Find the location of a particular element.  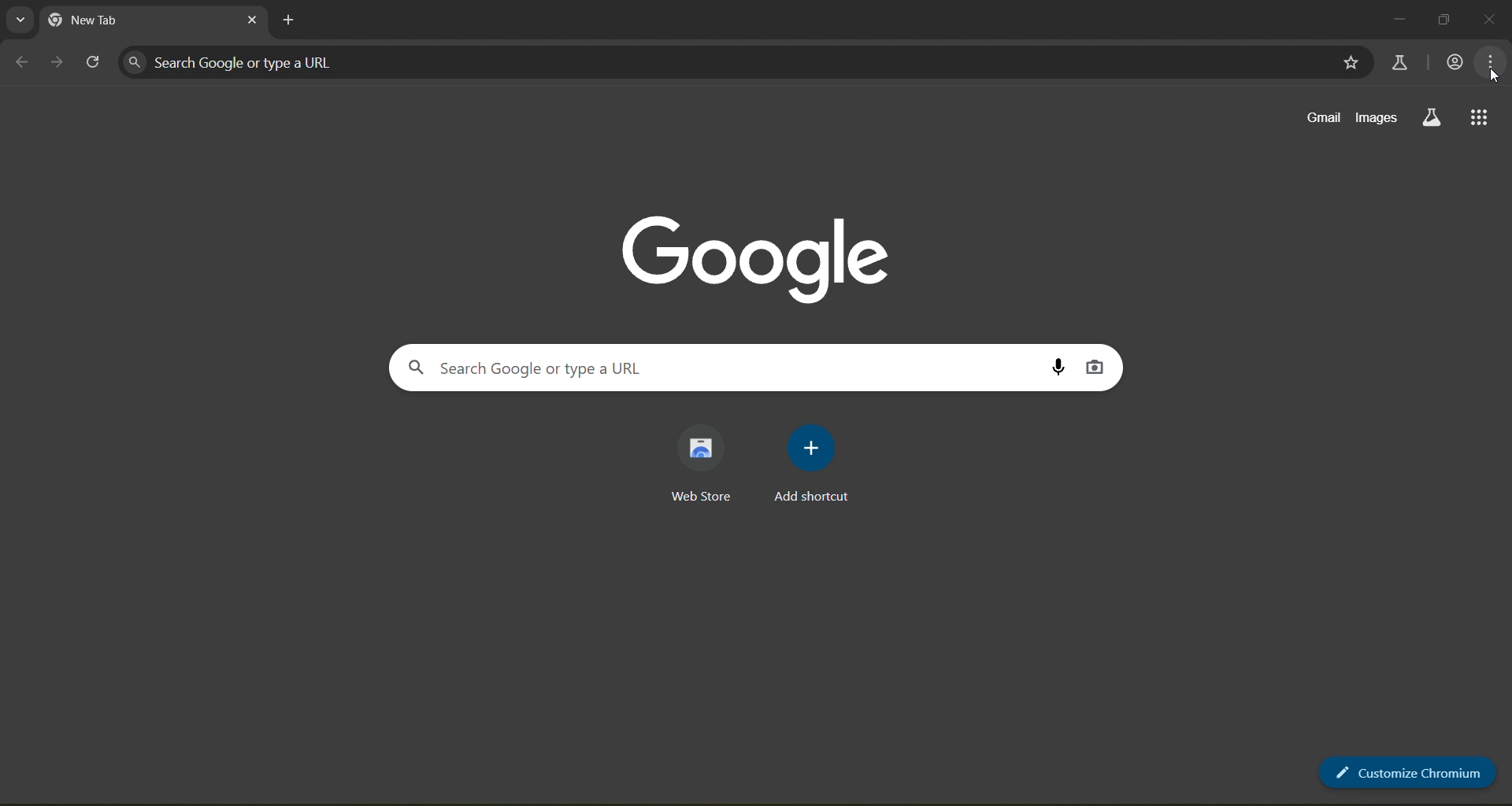

search tab is located at coordinates (21, 20).